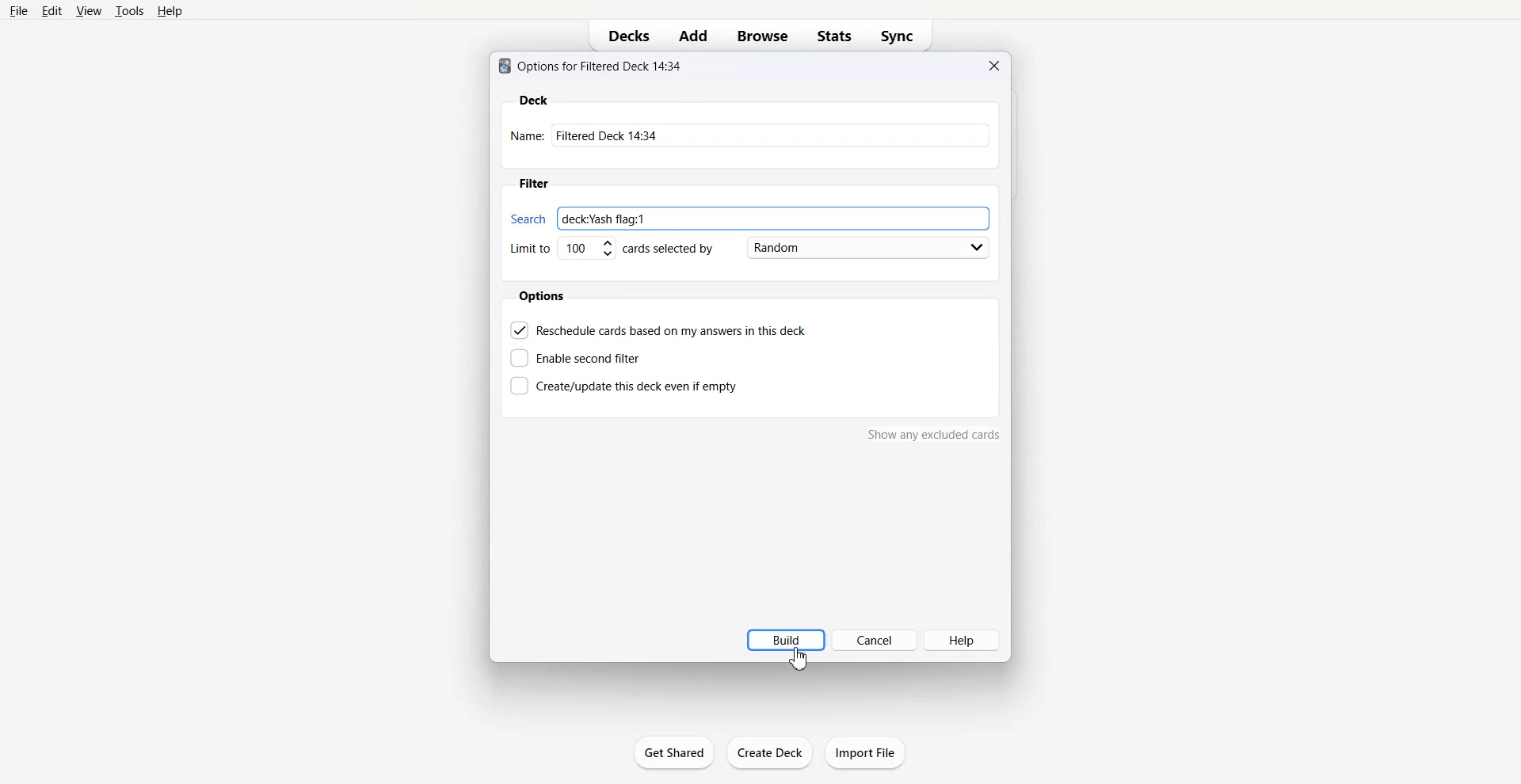 The image size is (1521, 784). What do you see at coordinates (542, 296) in the screenshot?
I see `Options` at bounding box center [542, 296].